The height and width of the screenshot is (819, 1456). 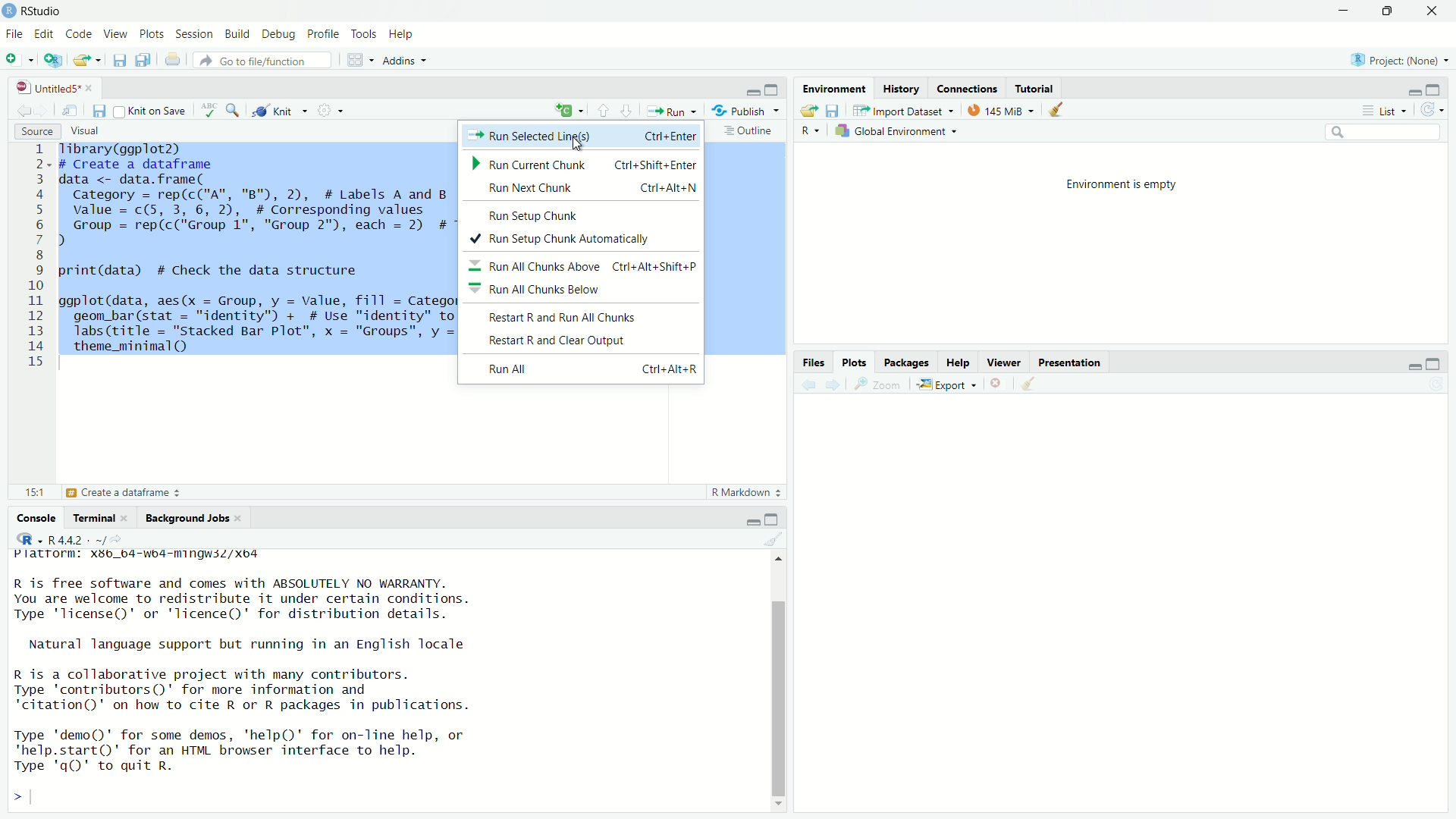 What do you see at coordinates (99, 131) in the screenshot?
I see `Visual` at bounding box center [99, 131].